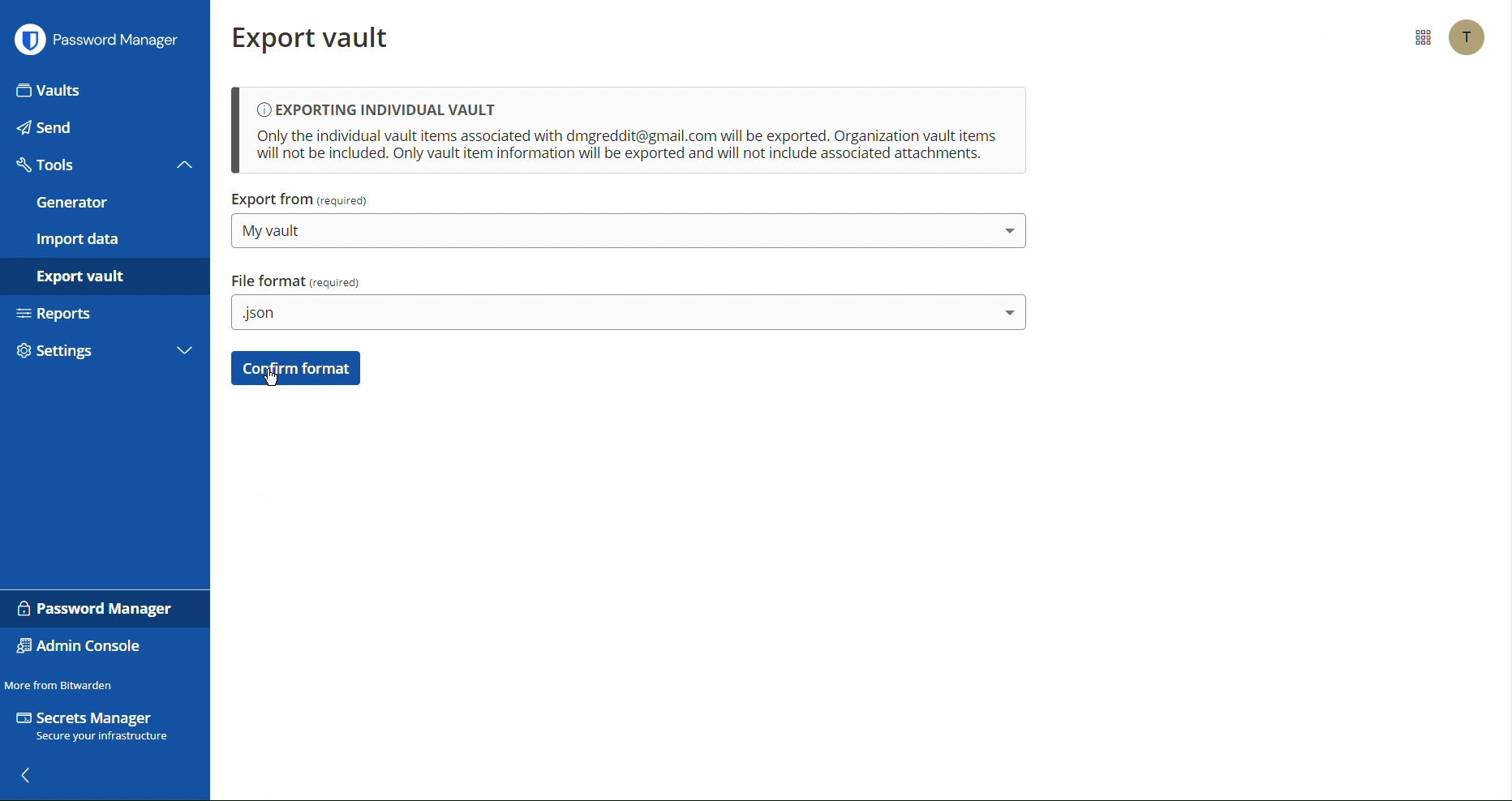 Image resolution: width=1512 pixels, height=801 pixels. I want to click on Confirm format, so click(296, 368).